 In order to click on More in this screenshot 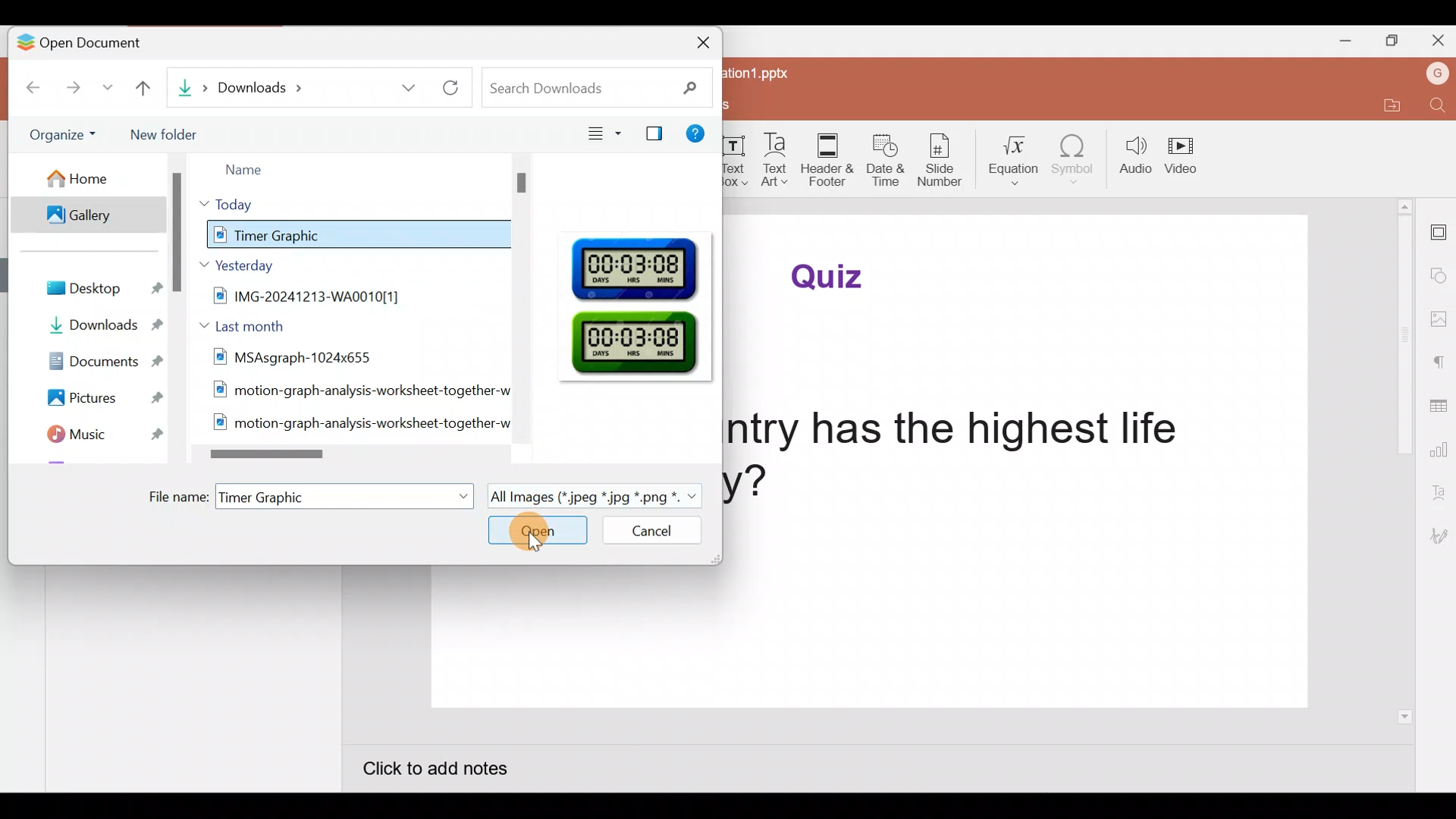, I will do `click(110, 92)`.